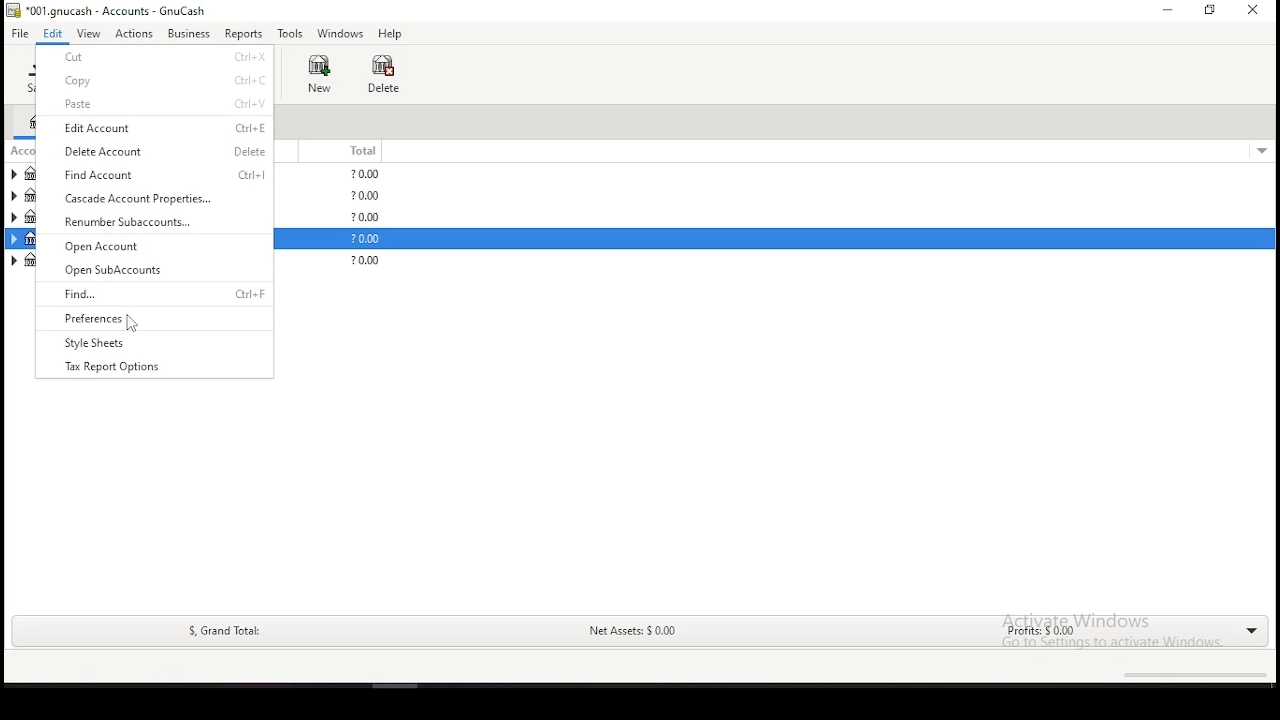  I want to click on edits, so click(54, 33).